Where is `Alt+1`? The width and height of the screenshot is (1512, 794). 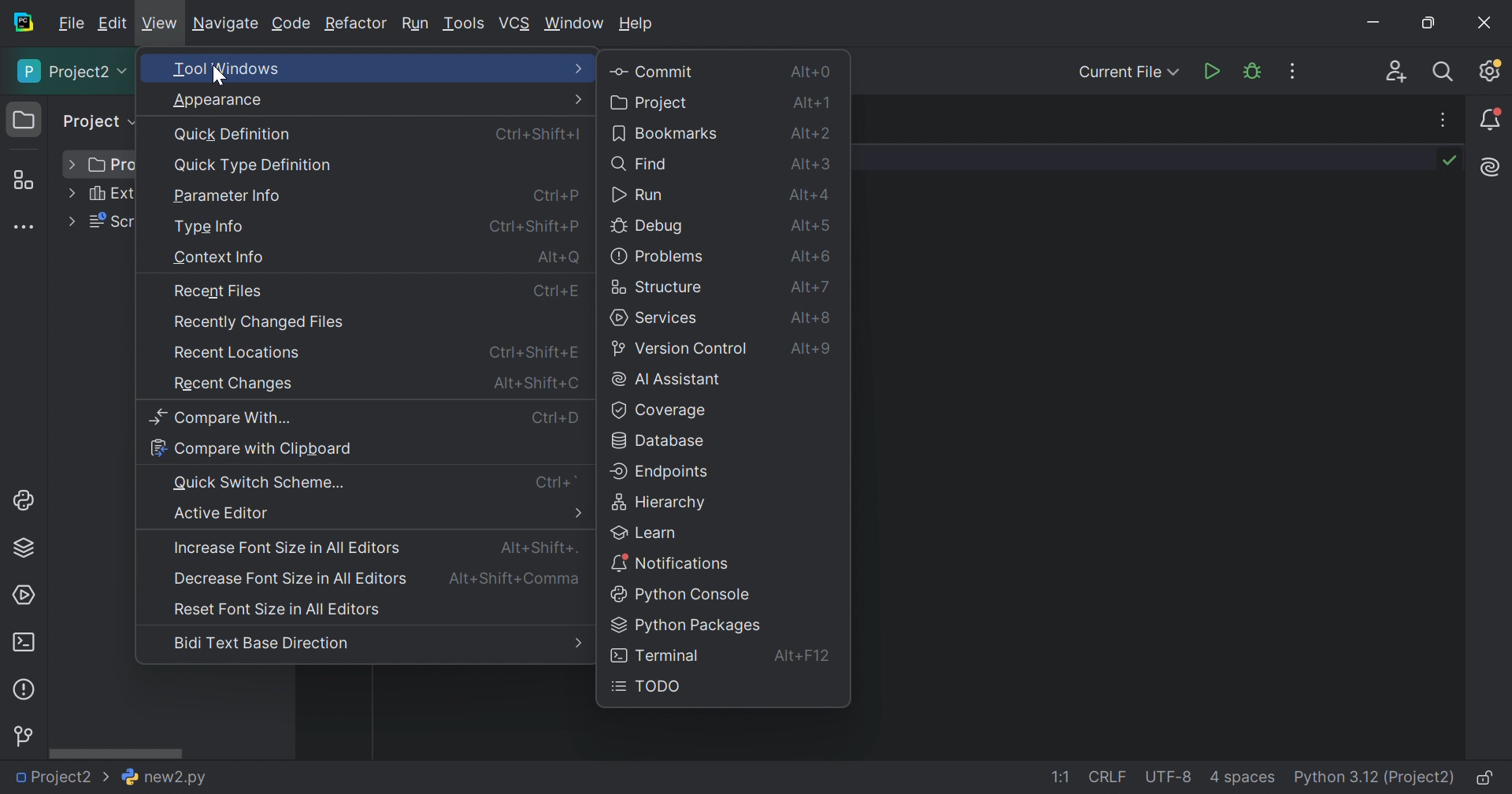 Alt+1 is located at coordinates (809, 103).